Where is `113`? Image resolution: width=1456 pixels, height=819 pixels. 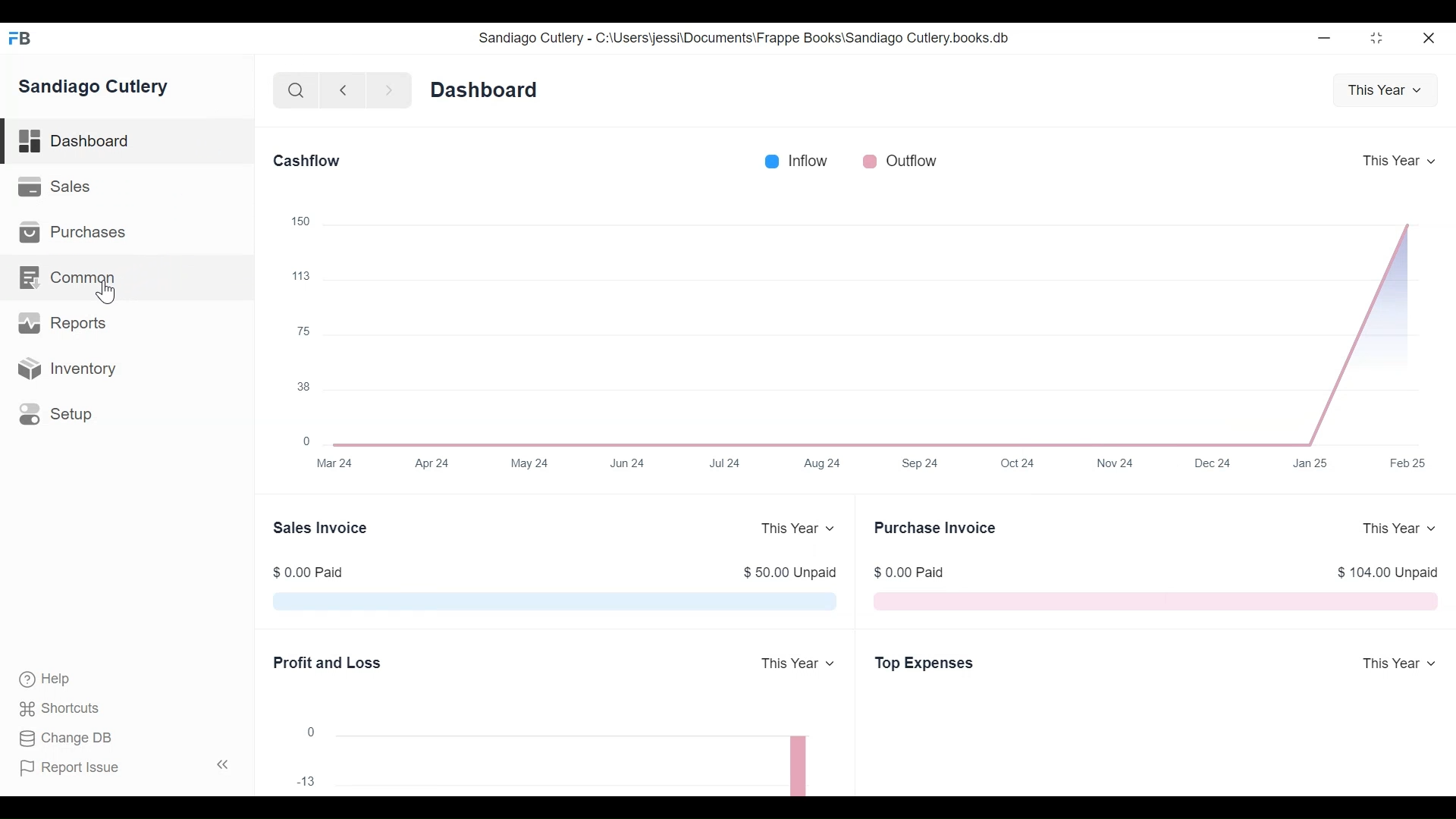 113 is located at coordinates (301, 277).